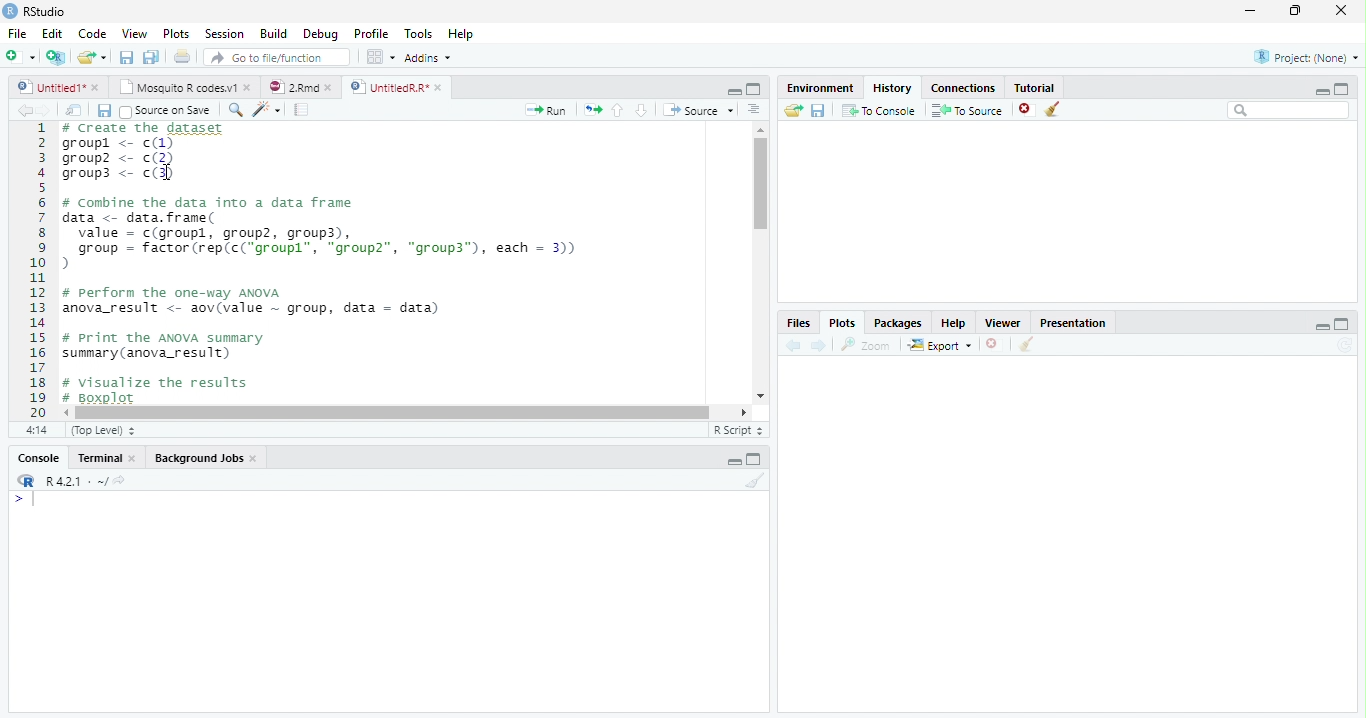  Describe the element at coordinates (267, 111) in the screenshot. I see `Magic code` at that location.